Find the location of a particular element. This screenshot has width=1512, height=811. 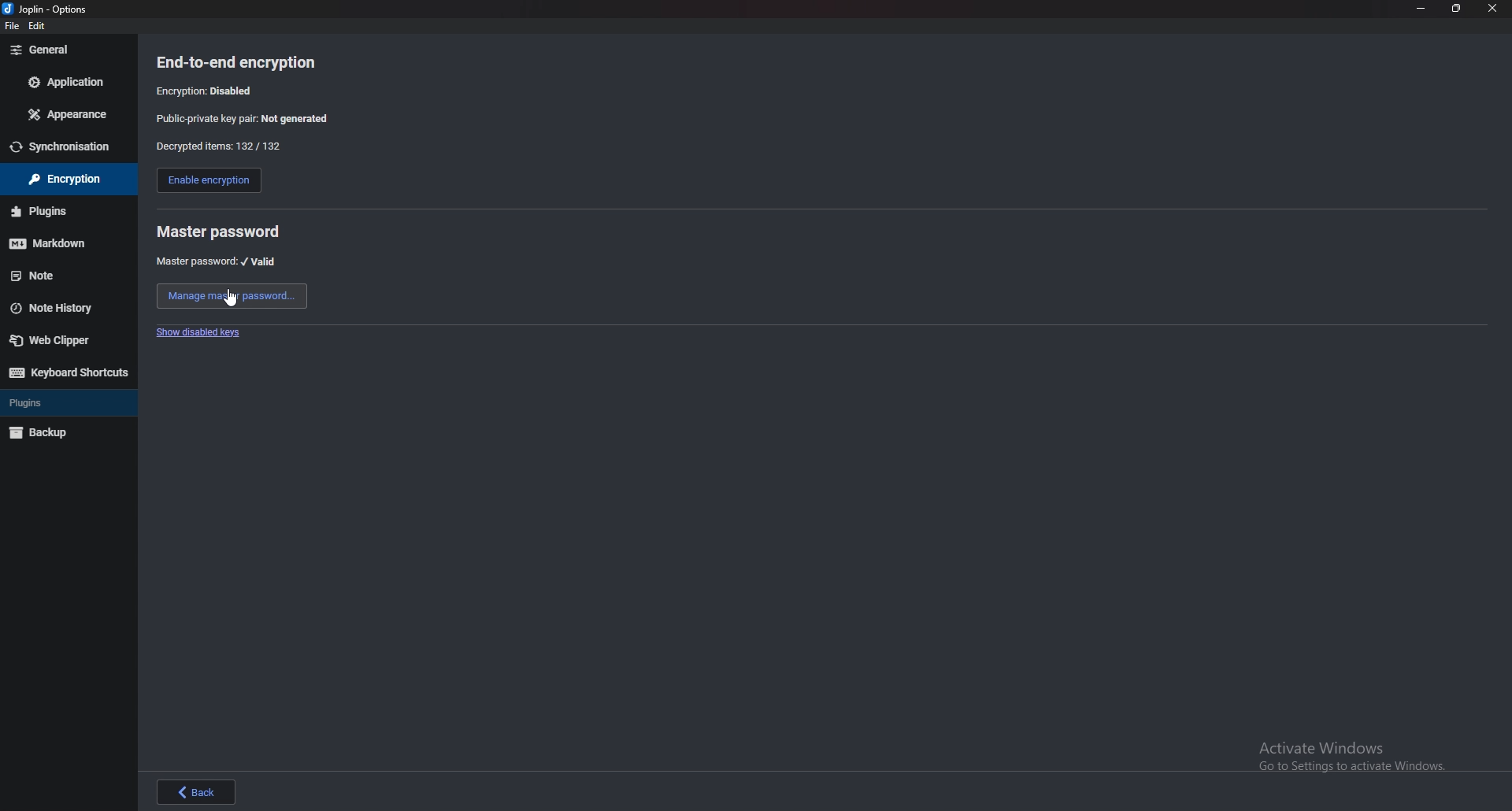

appearance is located at coordinates (65, 115).